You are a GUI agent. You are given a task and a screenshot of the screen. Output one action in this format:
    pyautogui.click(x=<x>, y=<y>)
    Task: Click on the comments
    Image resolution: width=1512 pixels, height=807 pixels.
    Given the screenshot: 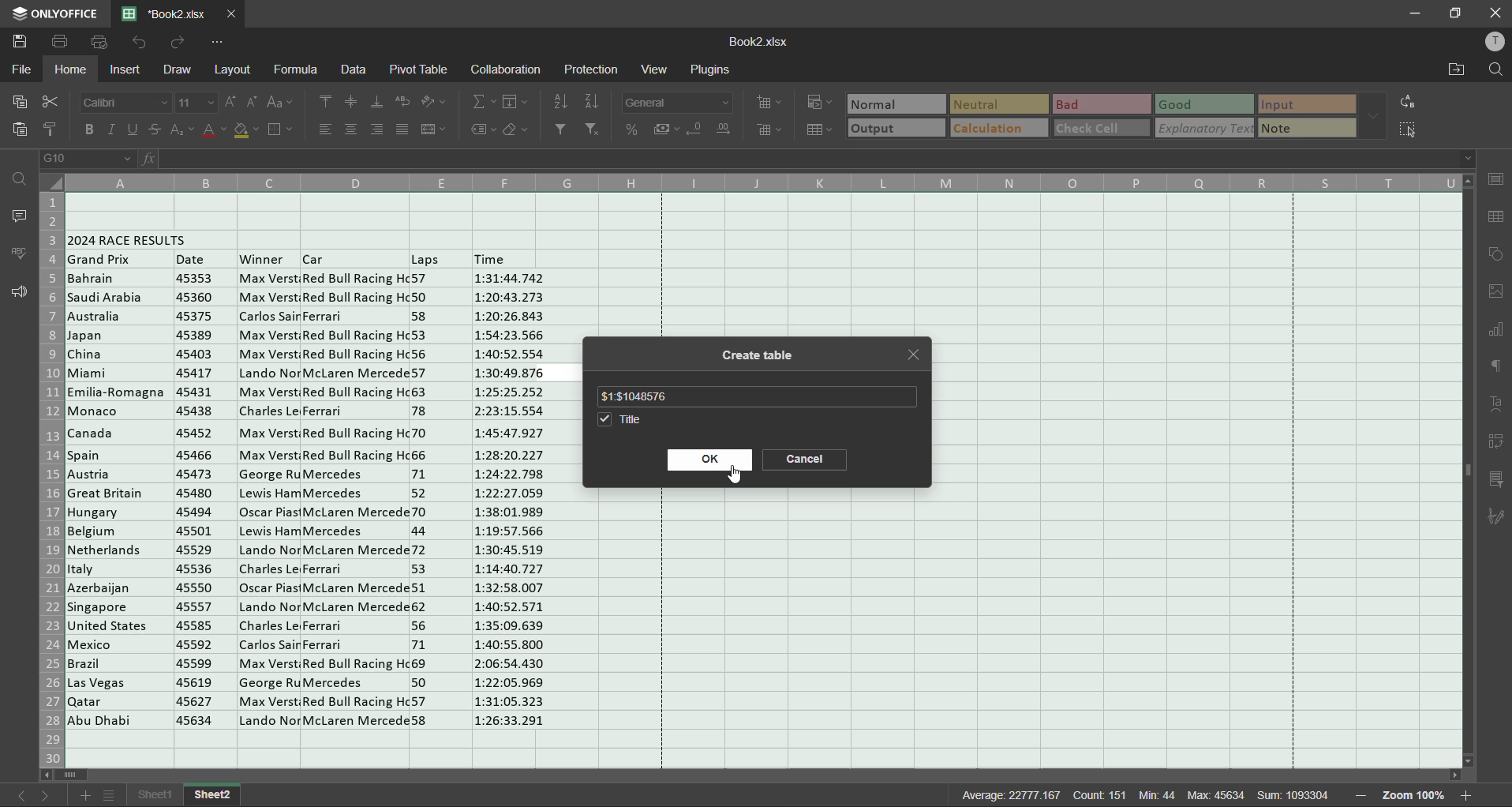 What is the action you would take?
    pyautogui.click(x=20, y=217)
    